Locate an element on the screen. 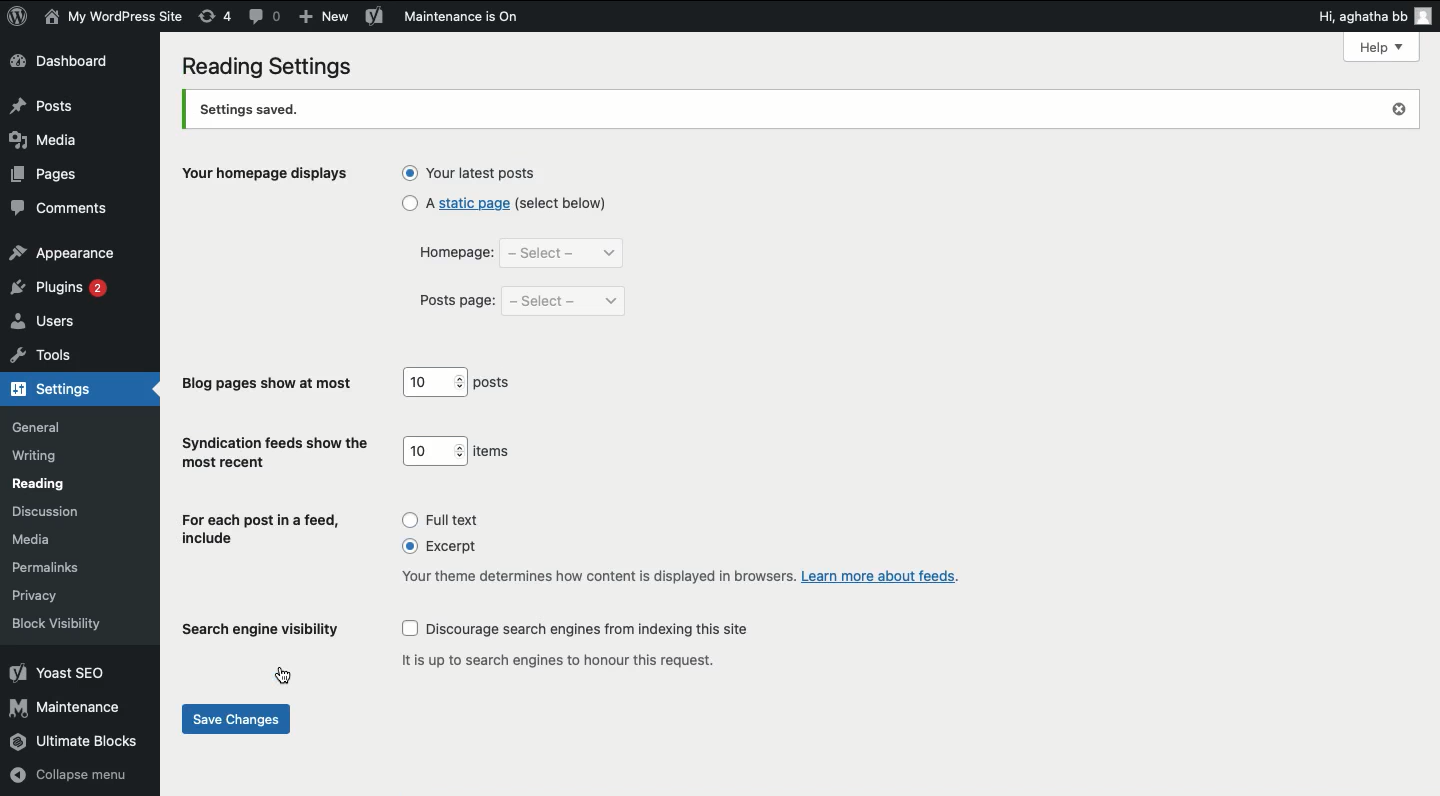  permalinks is located at coordinates (43, 569).